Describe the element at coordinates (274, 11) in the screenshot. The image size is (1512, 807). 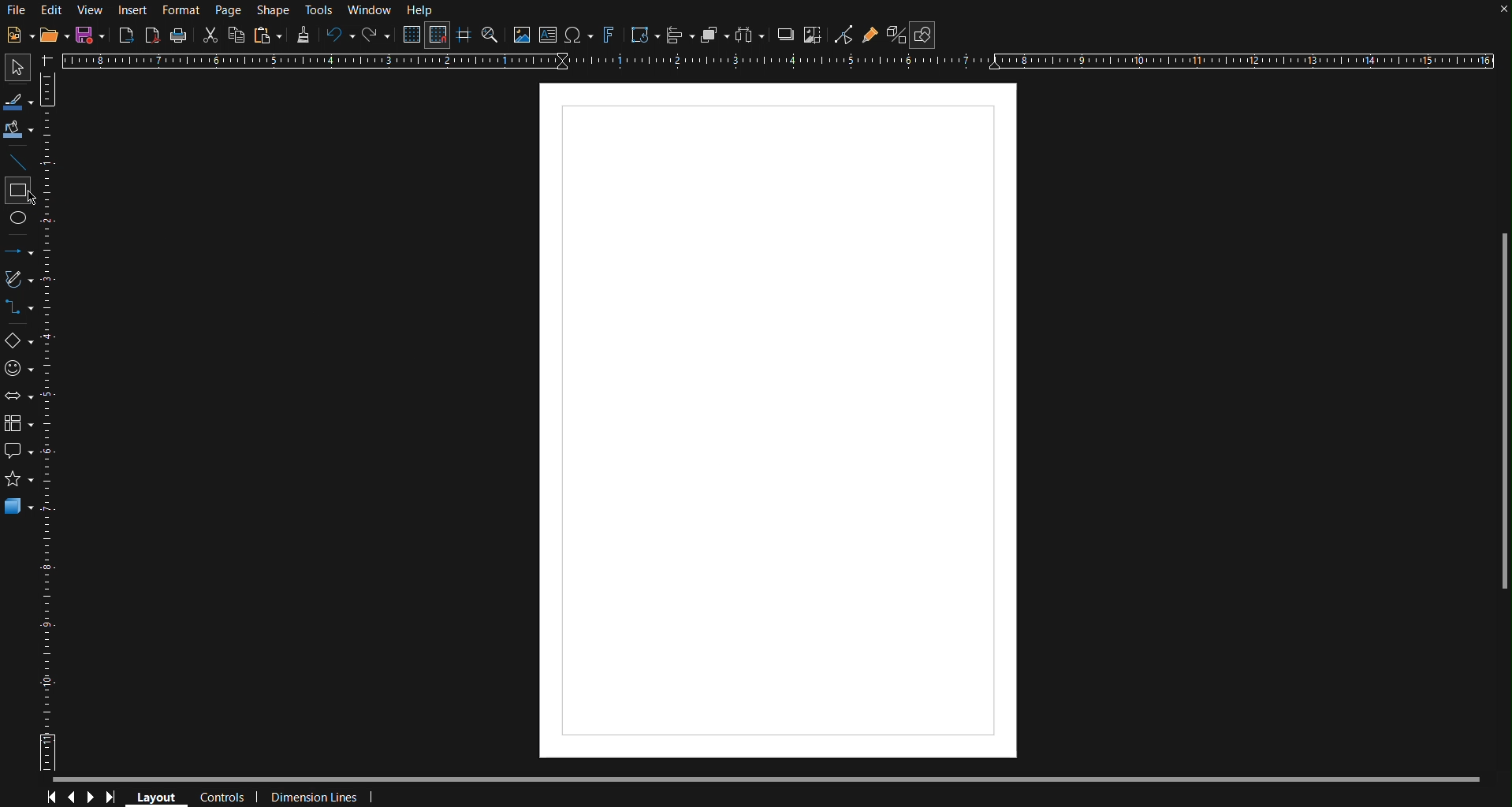
I see `Shape` at that location.